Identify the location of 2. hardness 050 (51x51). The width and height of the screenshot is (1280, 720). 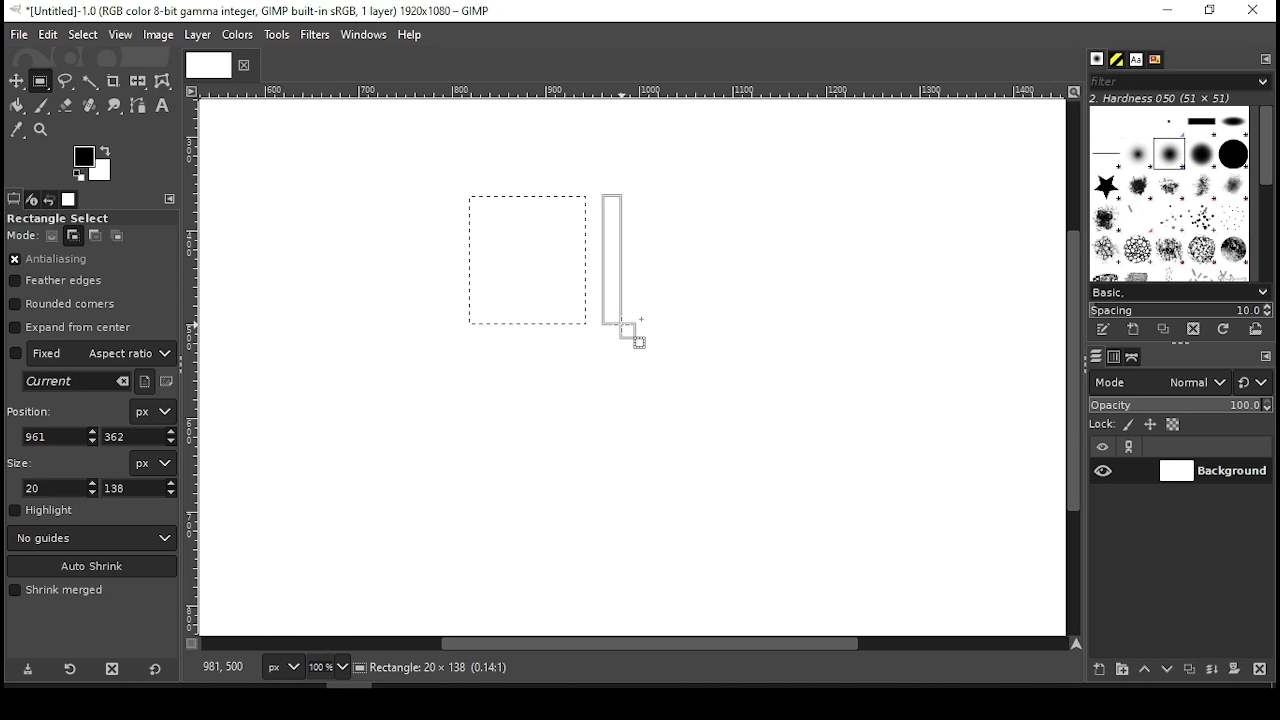
(1166, 98).